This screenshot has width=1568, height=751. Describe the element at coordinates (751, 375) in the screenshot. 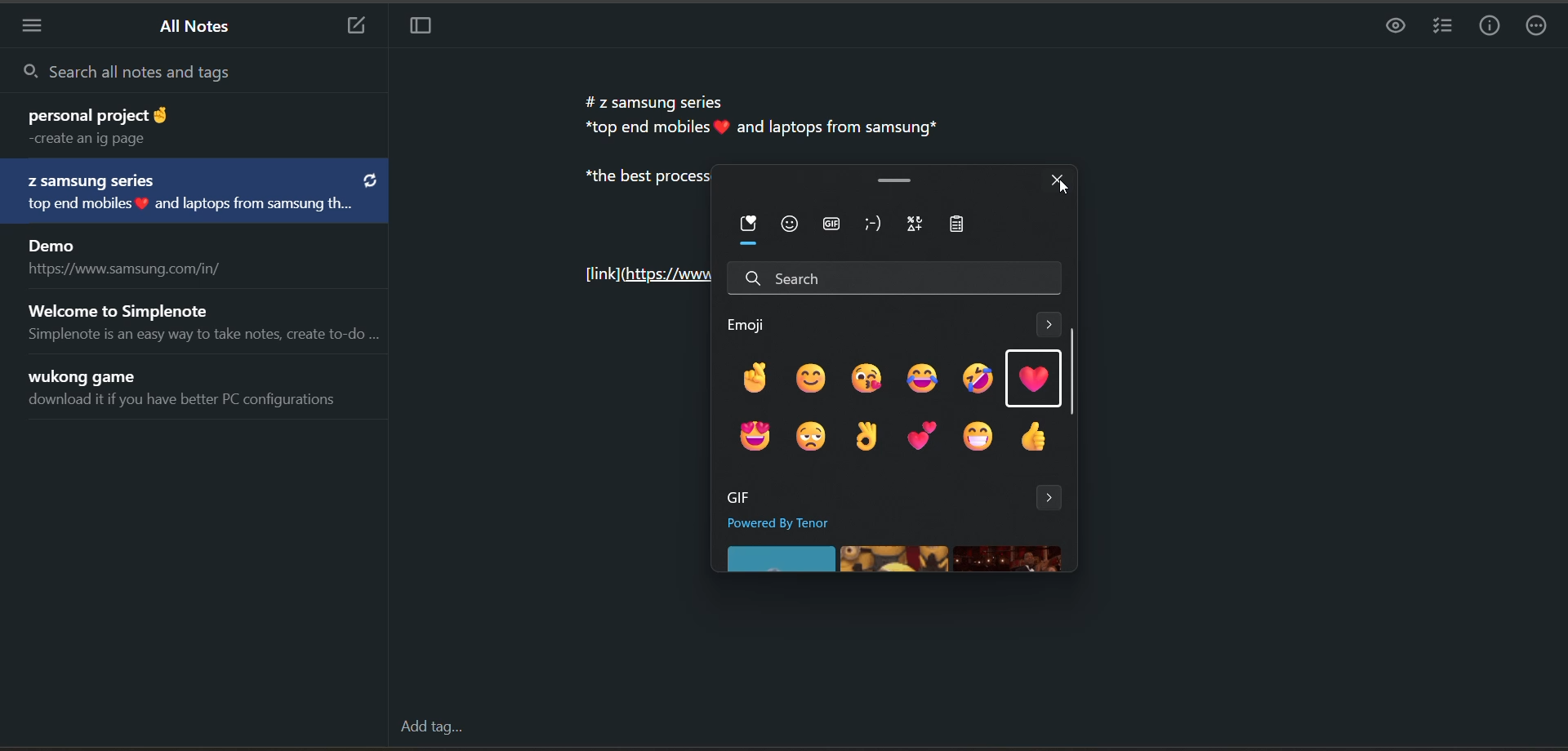

I see `emoji 1` at that location.